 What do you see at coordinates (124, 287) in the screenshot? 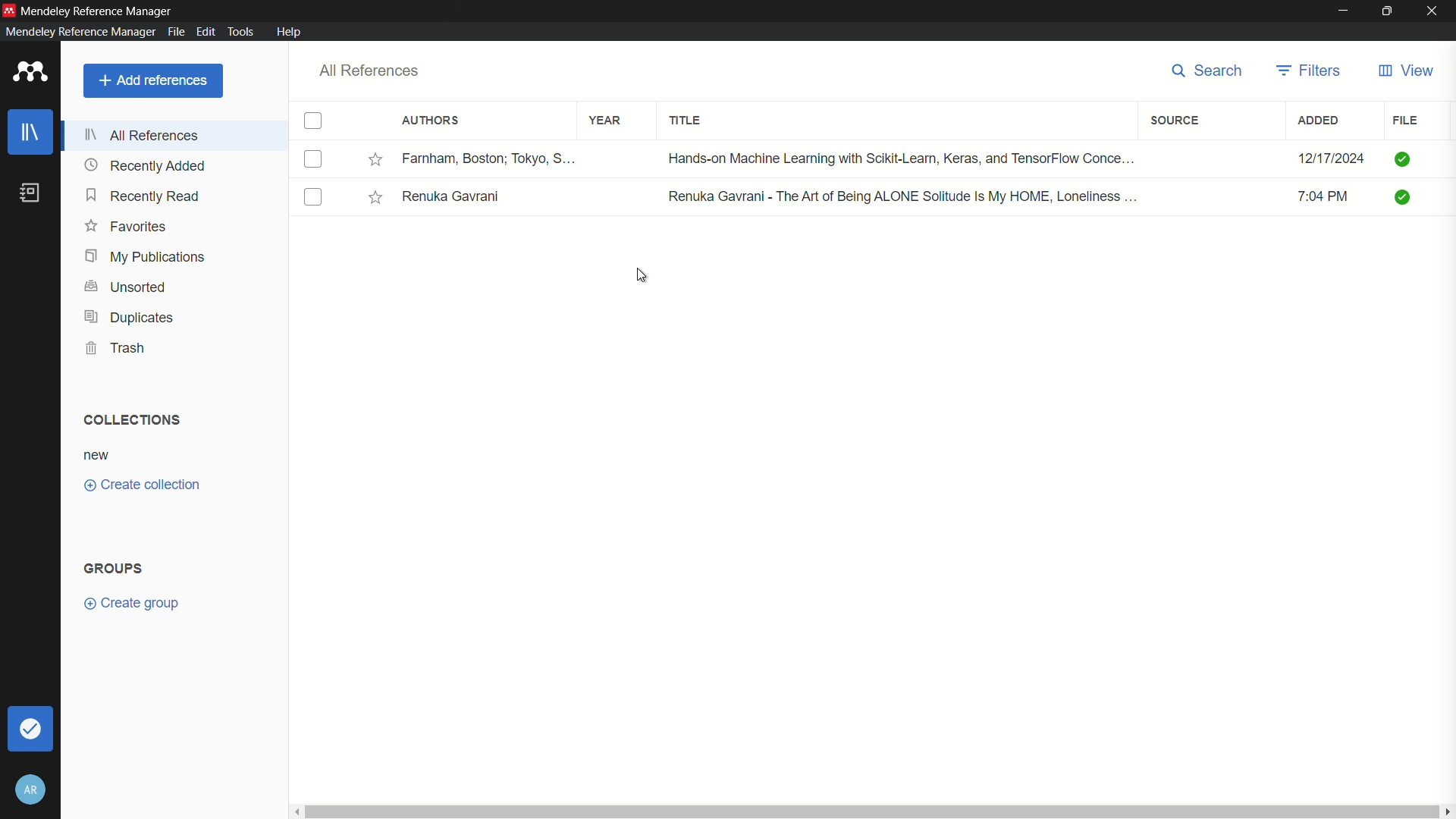
I see `unsorted` at bounding box center [124, 287].